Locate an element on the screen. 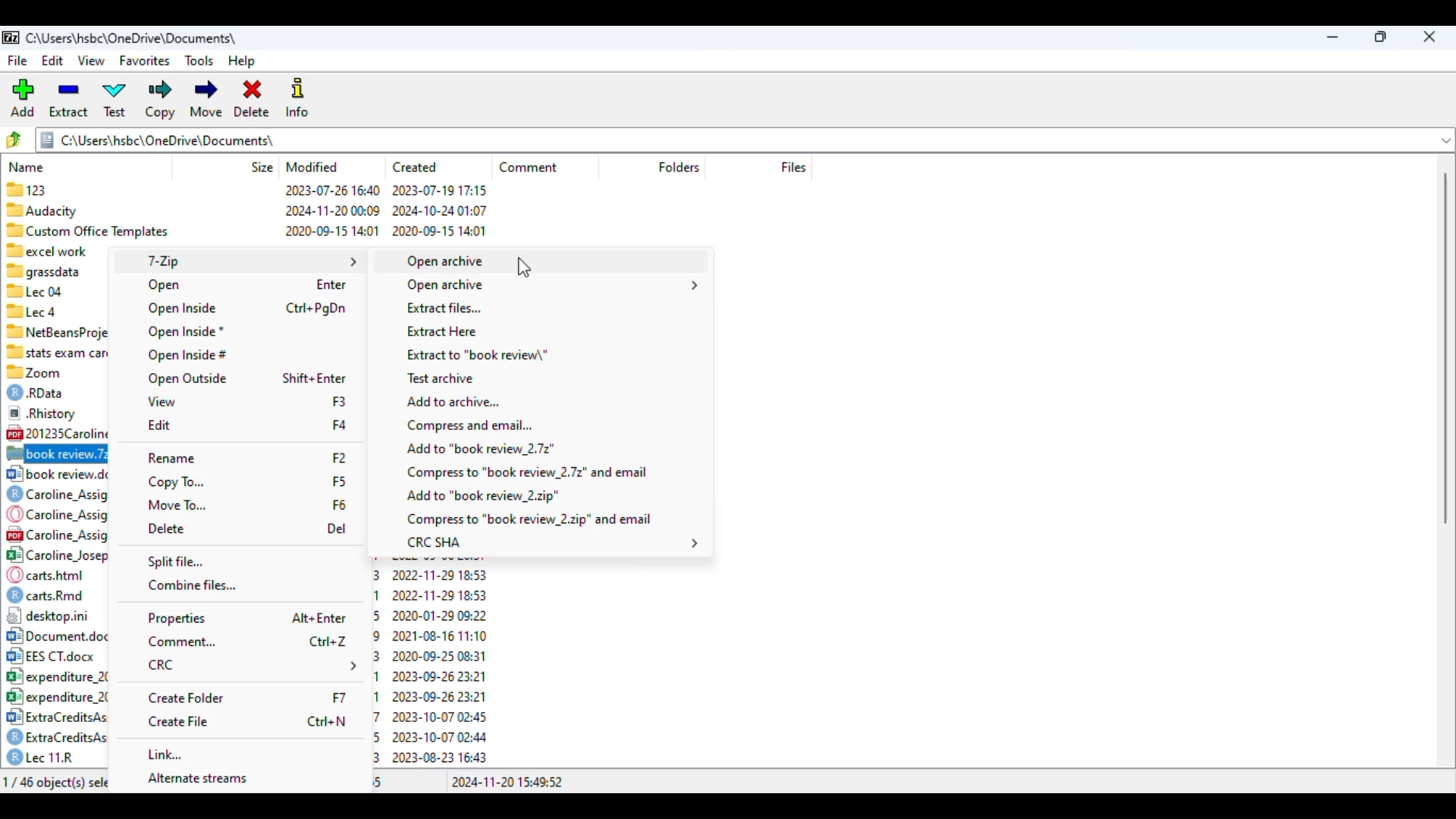  name is located at coordinates (27, 167).